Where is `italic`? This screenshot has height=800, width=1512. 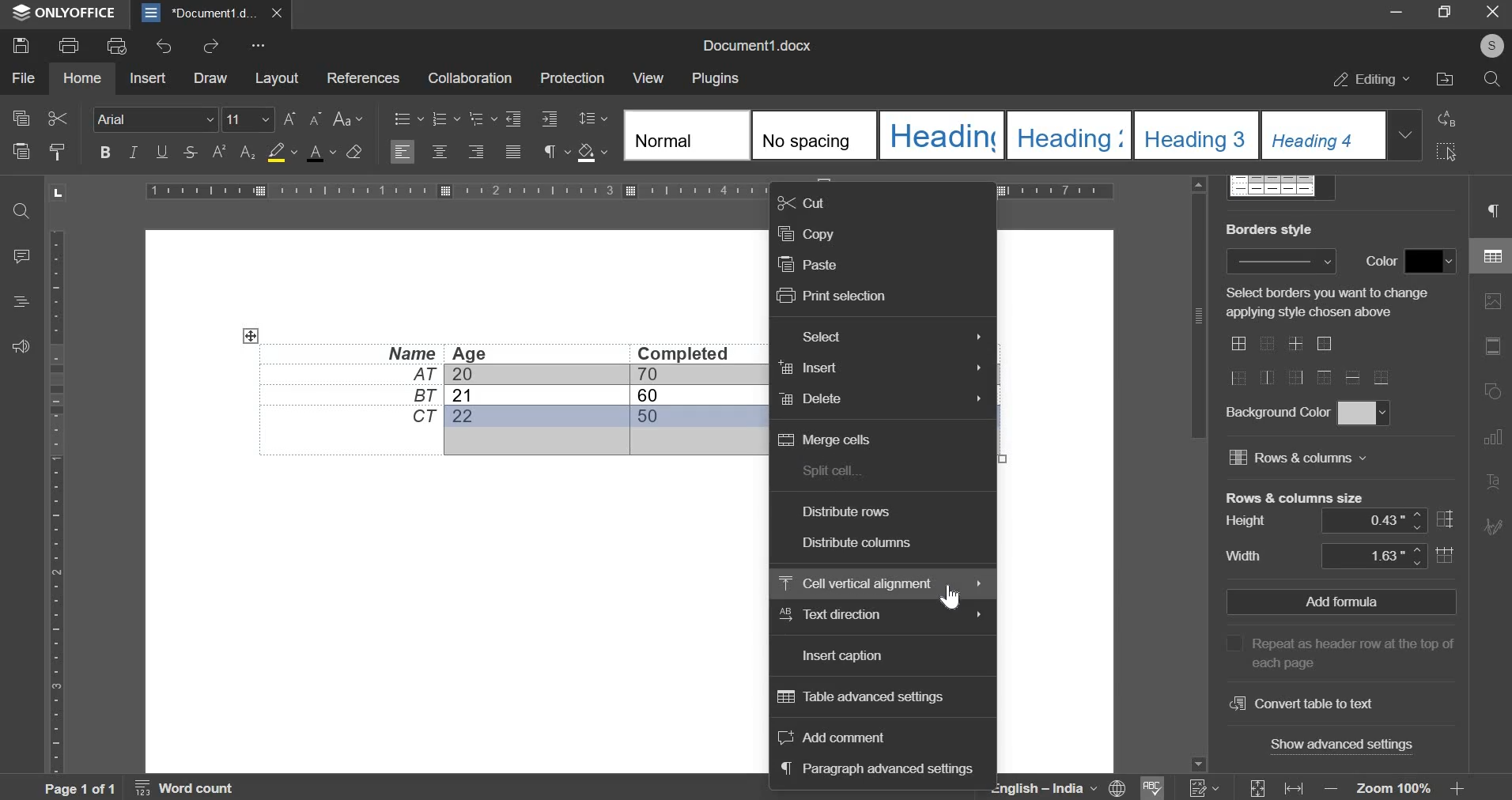
italic is located at coordinates (131, 150).